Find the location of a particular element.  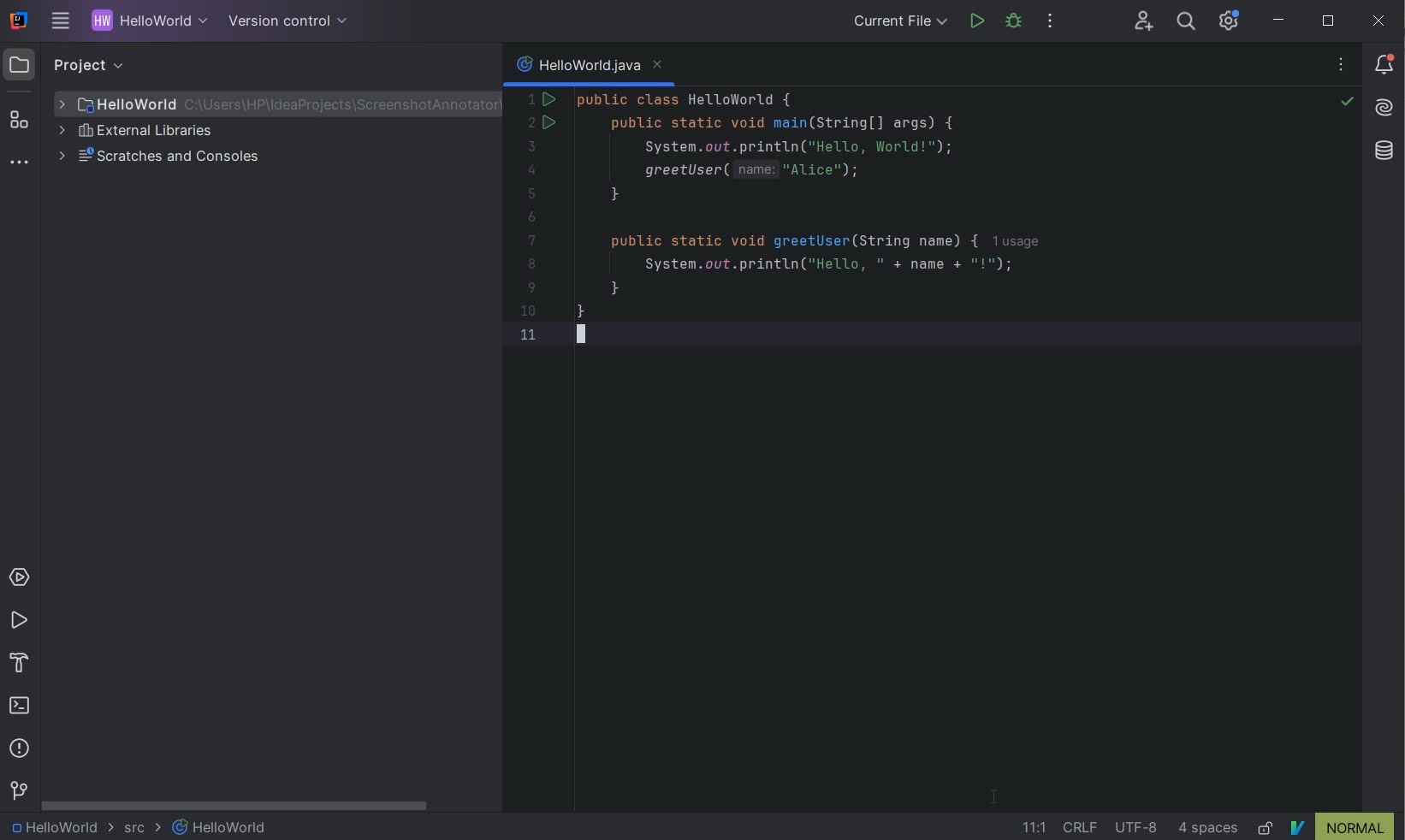

DEBUG is located at coordinates (1017, 24).